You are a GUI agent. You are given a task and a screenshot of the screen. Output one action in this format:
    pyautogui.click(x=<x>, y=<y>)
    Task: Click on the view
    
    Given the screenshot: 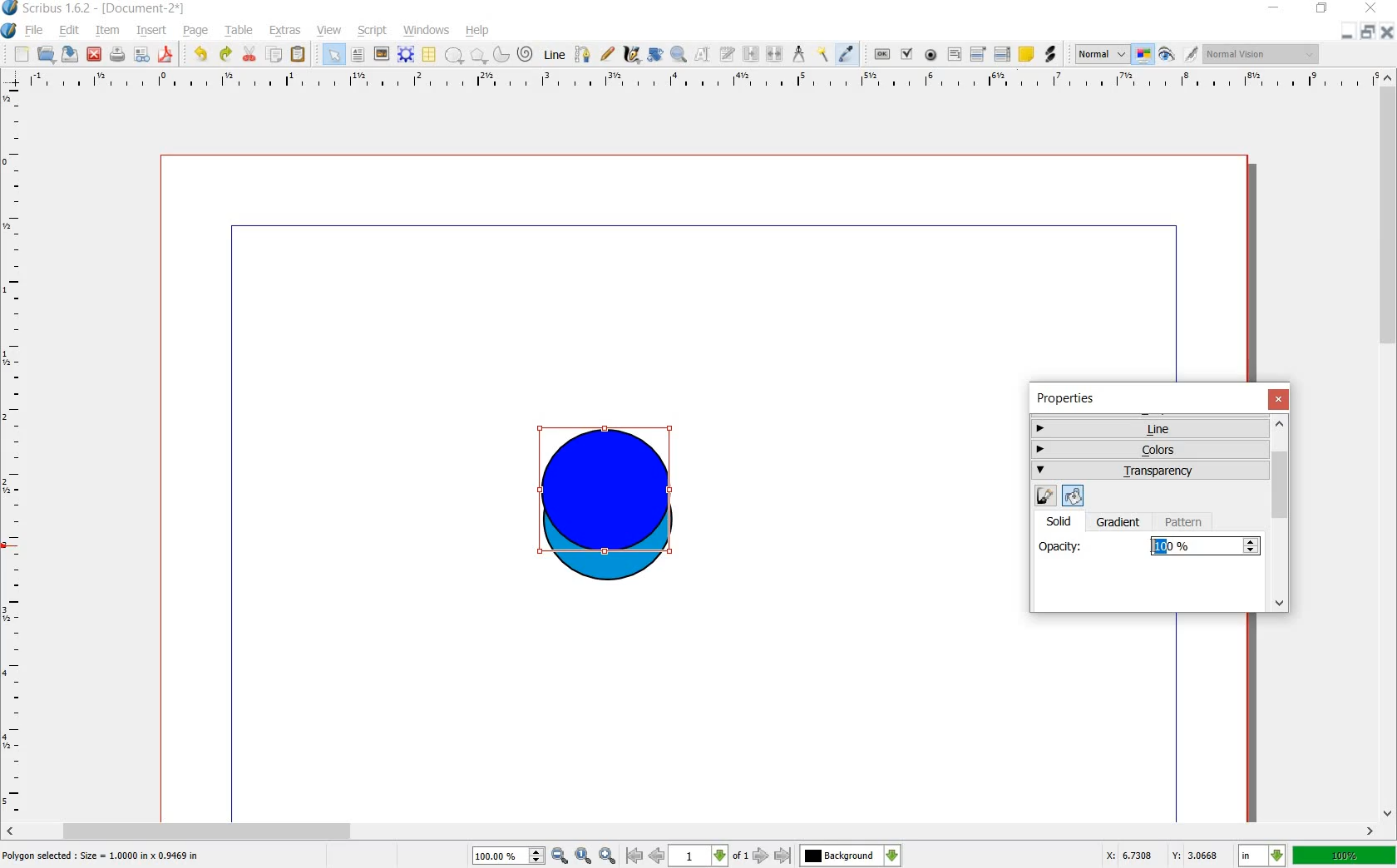 What is the action you would take?
    pyautogui.click(x=328, y=31)
    